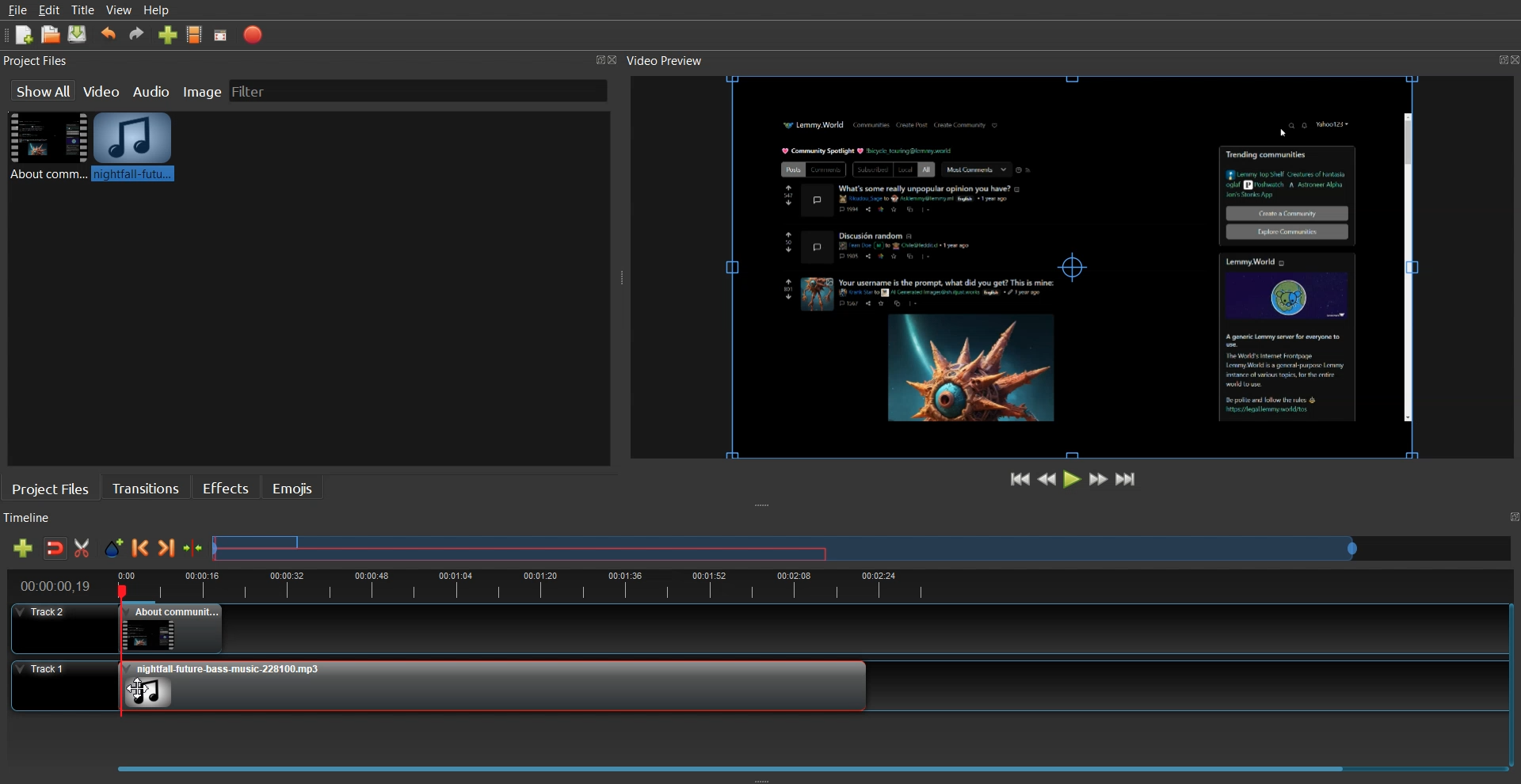 This screenshot has width=1521, height=784. What do you see at coordinates (109, 34) in the screenshot?
I see `Undo` at bounding box center [109, 34].